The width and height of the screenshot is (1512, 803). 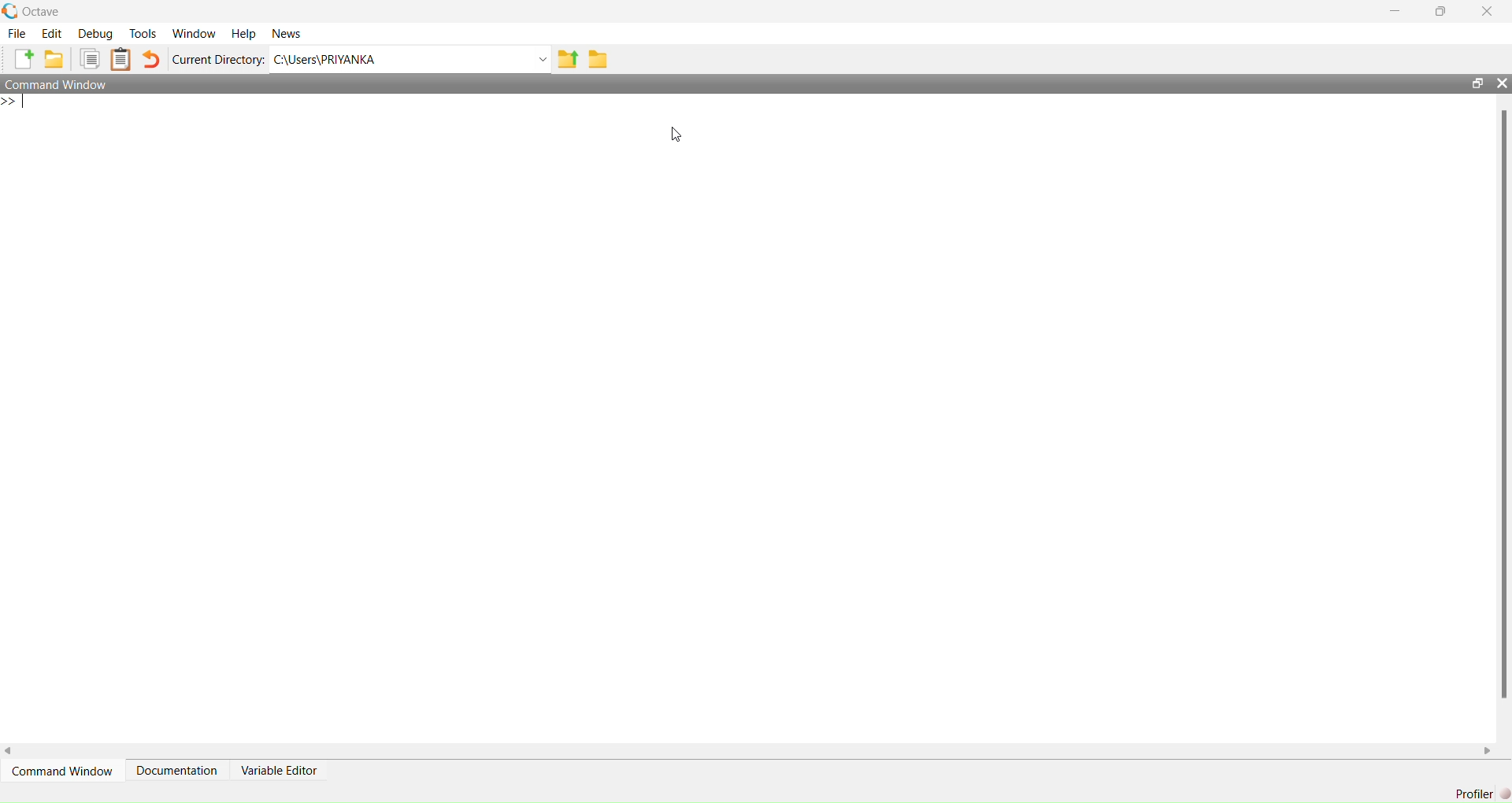 What do you see at coordinates (89, 59) in the screenshot?
I see `copy` at bounding box center [89, 59].